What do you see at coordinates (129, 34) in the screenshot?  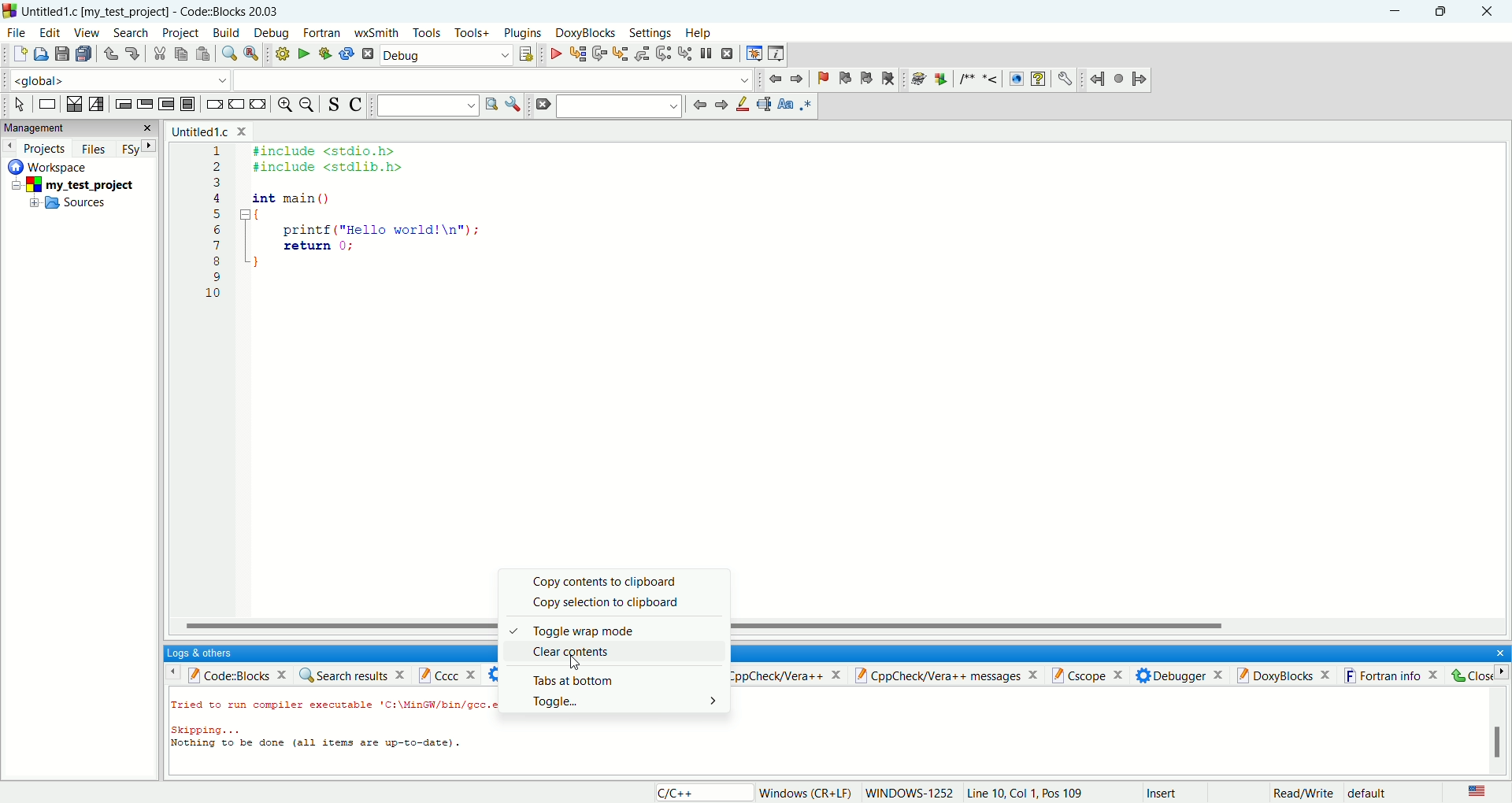 I see `search` at bounding box center [129, 34].